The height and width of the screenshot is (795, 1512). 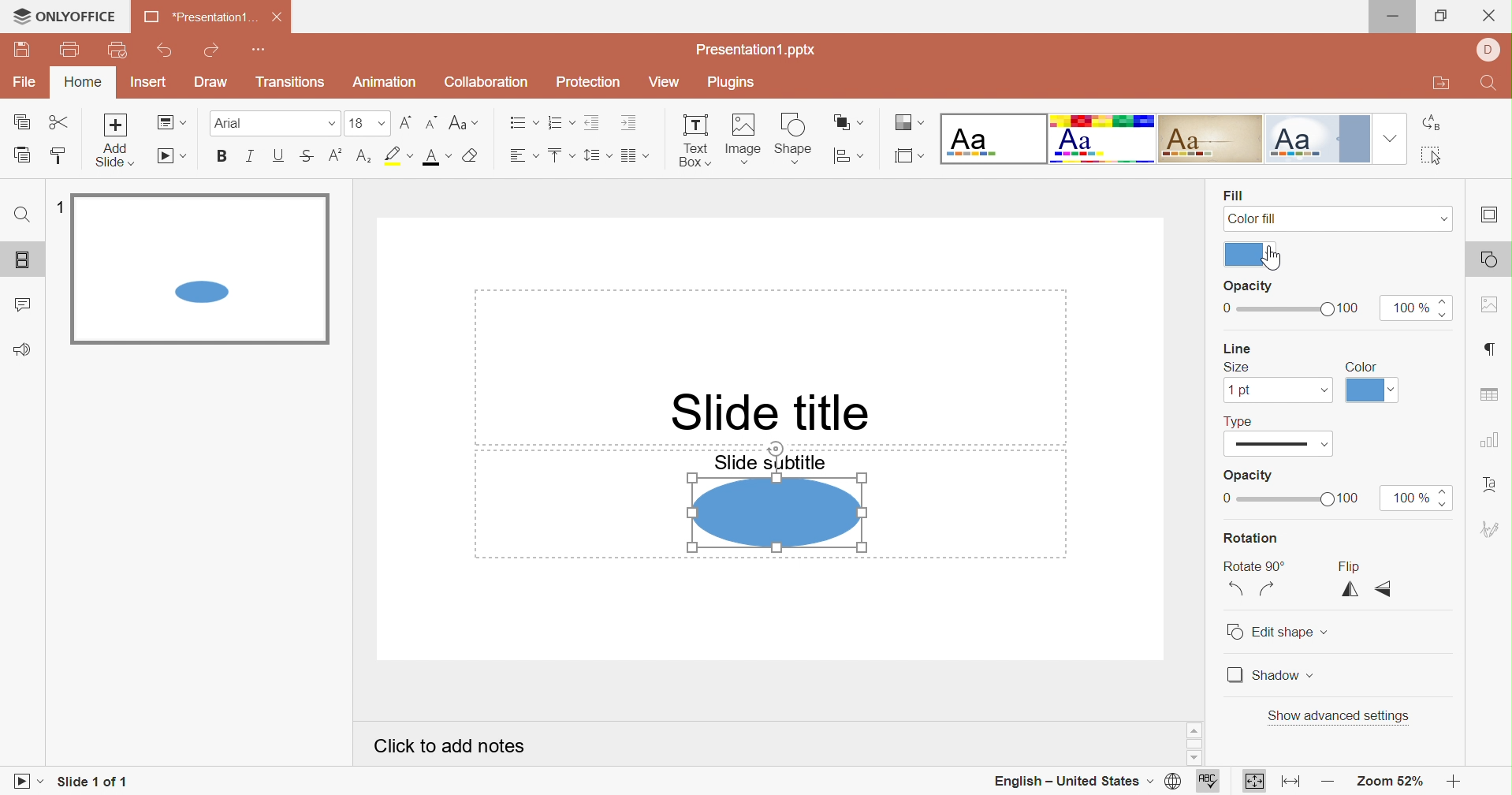 What do you see at coordinates (27, 349) in the screenshot?
I see `Feedback & Support` at bounding box center [27, 349].